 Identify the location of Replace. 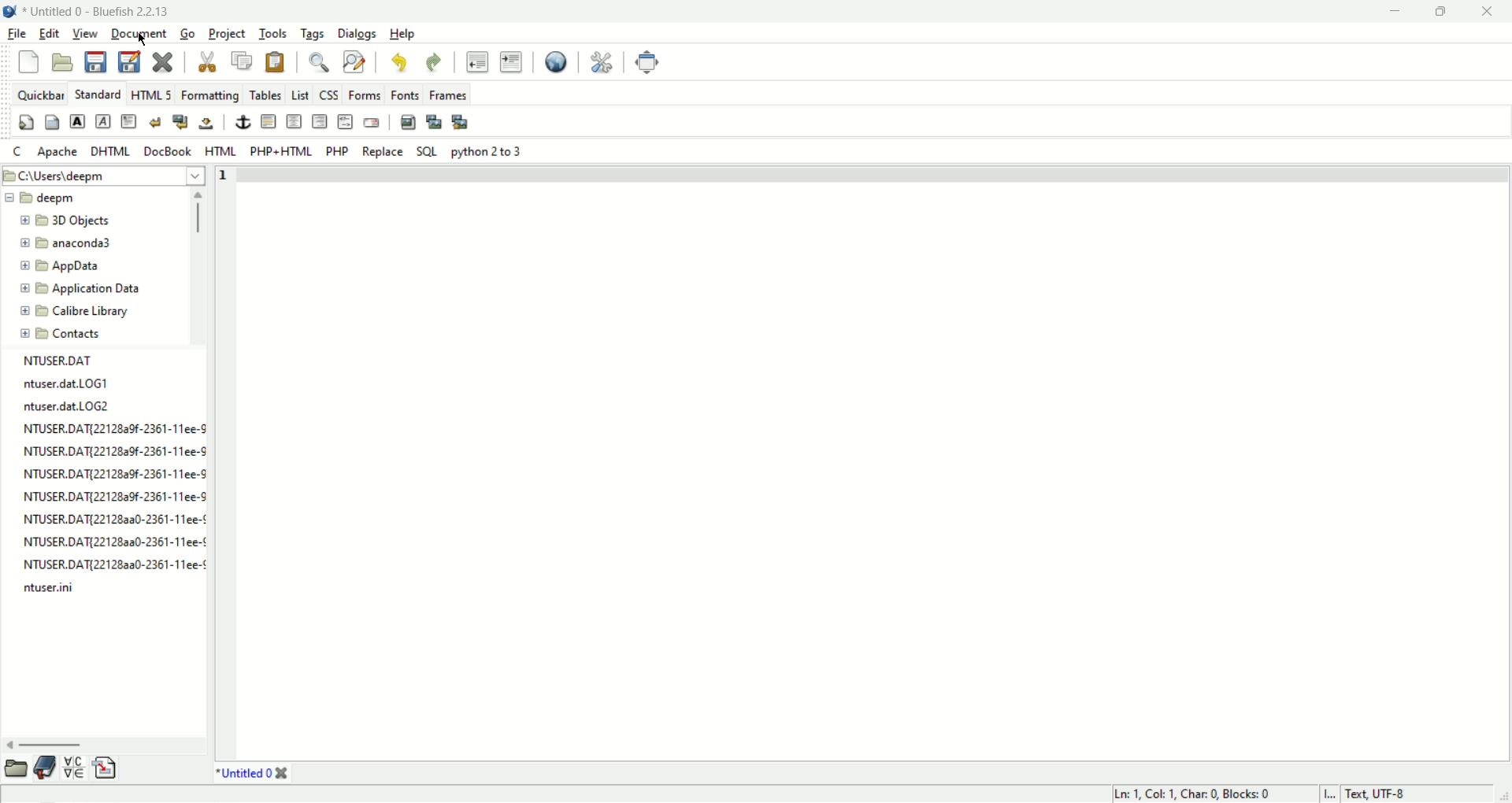
(382, 150).